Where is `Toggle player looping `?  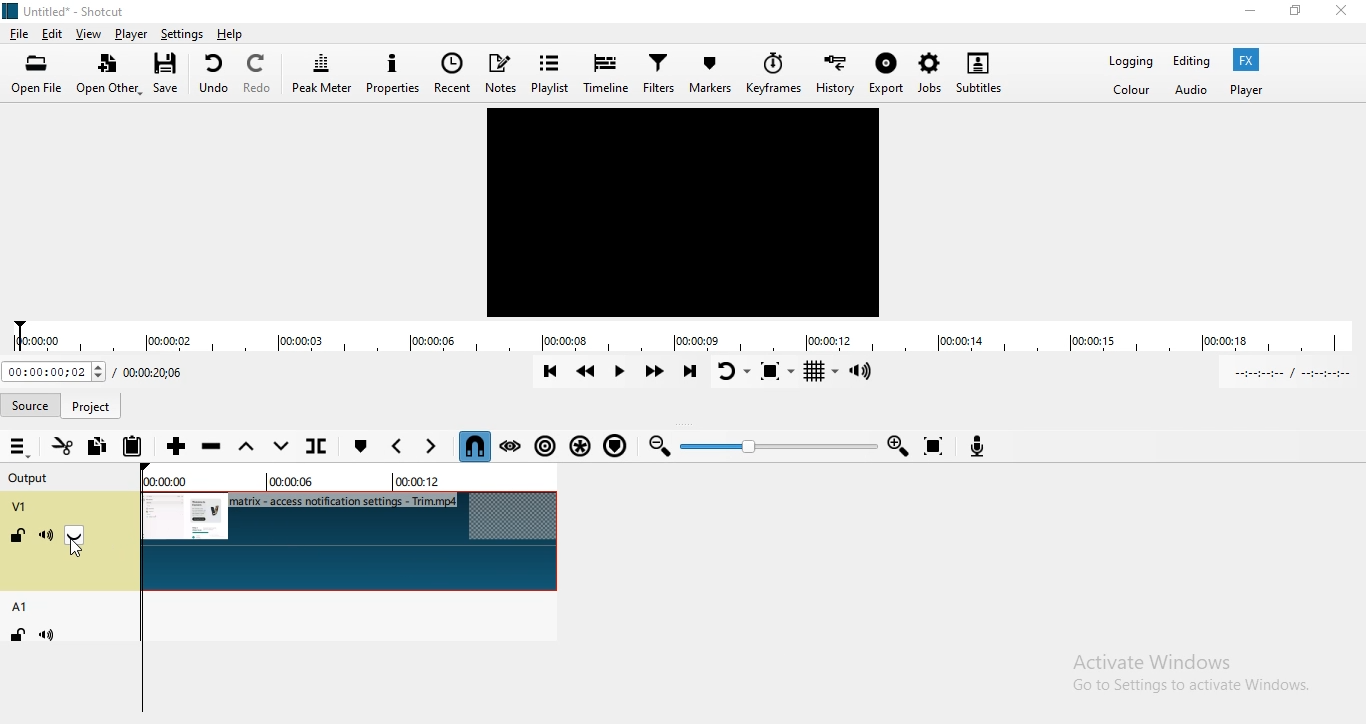
Toggle player looping  is located at coordinates (731, 369).